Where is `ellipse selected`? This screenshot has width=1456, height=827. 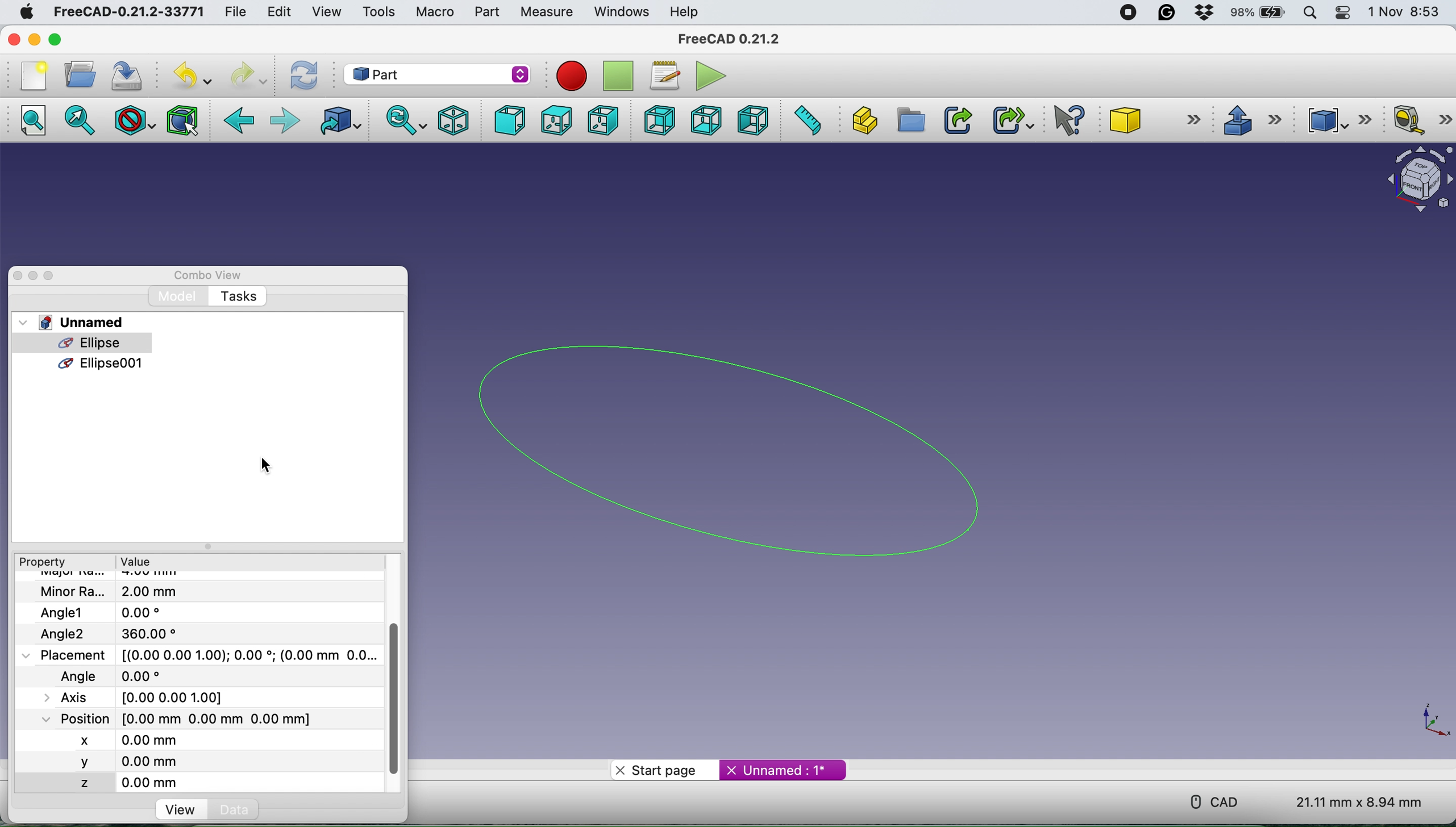
ellipse selected is located at coordinates (75, 344).